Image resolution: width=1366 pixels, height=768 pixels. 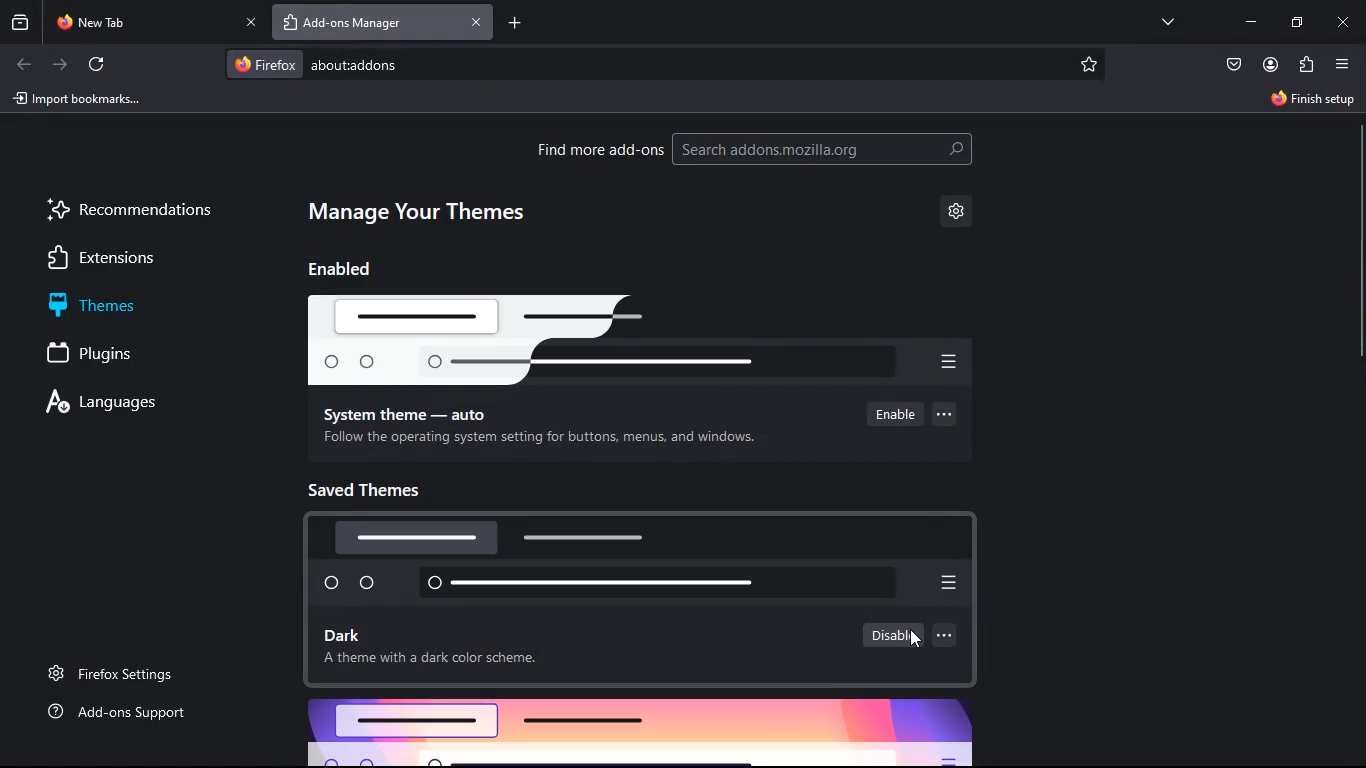 What do you see at coordinates (601, 149) in the screenshot?
I see `find more add-on` at bounding box center [601, 149].